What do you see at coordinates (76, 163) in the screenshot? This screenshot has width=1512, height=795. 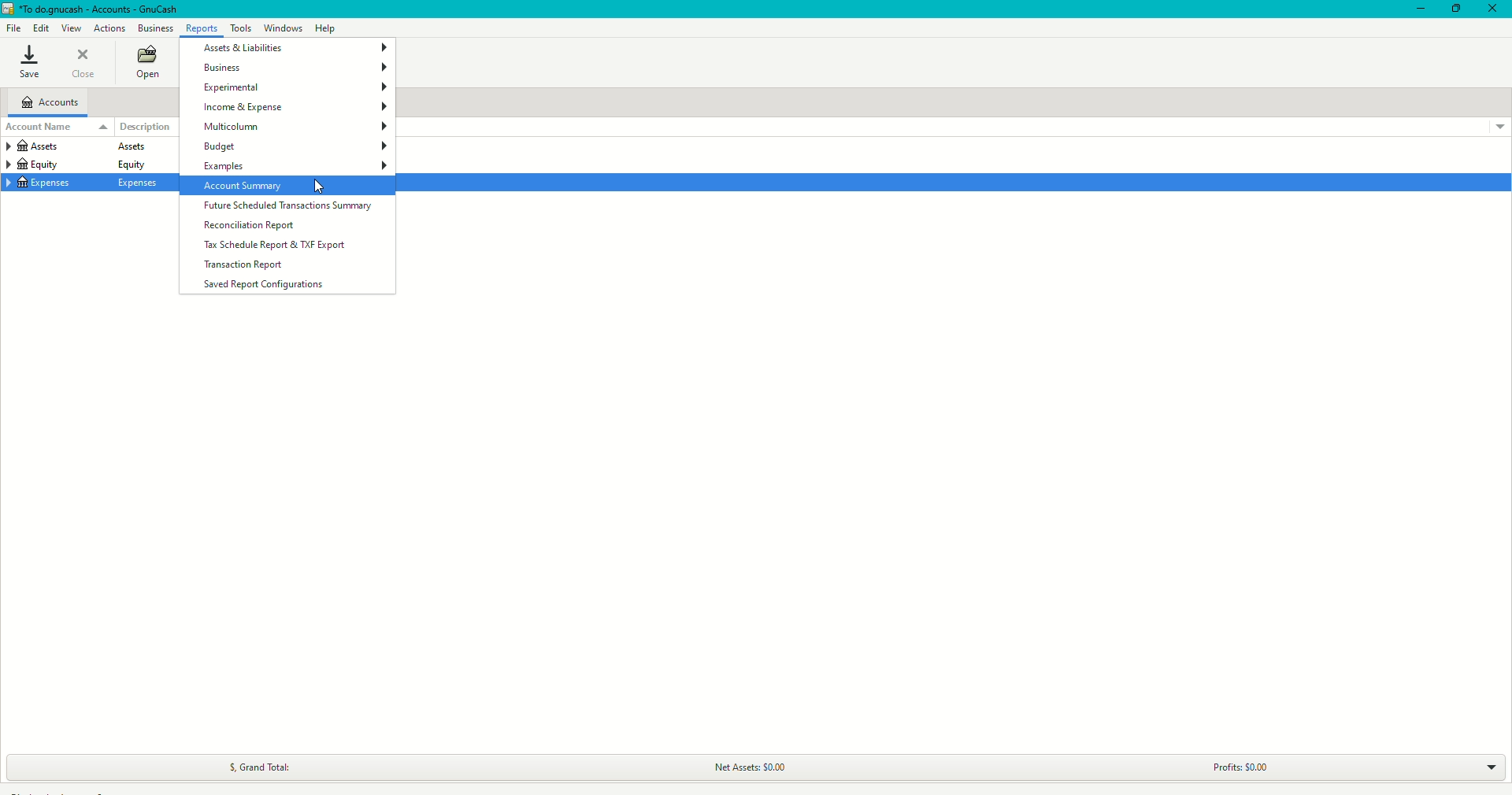 I see `equity equity` at bounding box center [76, 163].